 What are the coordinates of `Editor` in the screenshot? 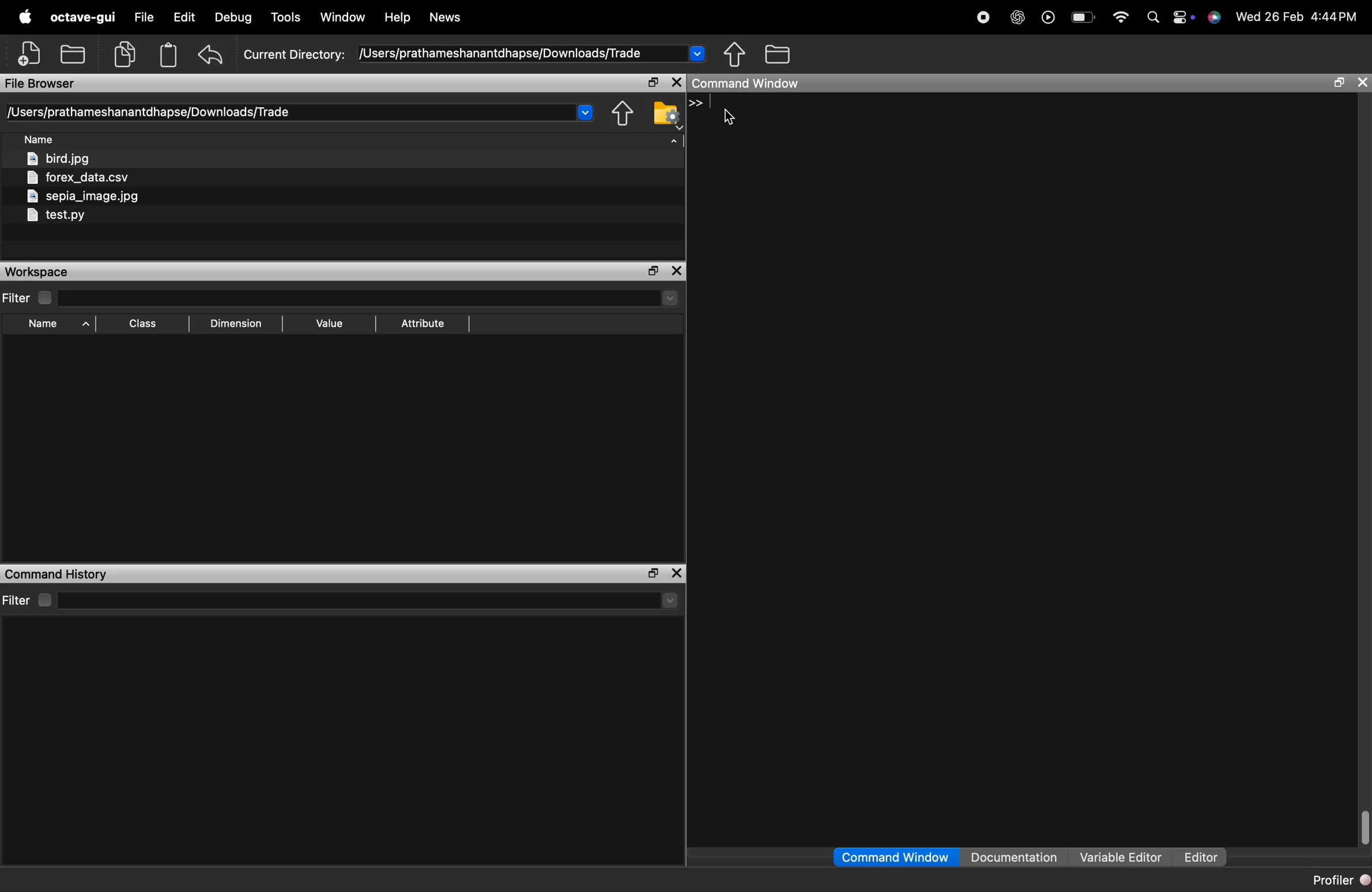 It's located at (1201, 857).